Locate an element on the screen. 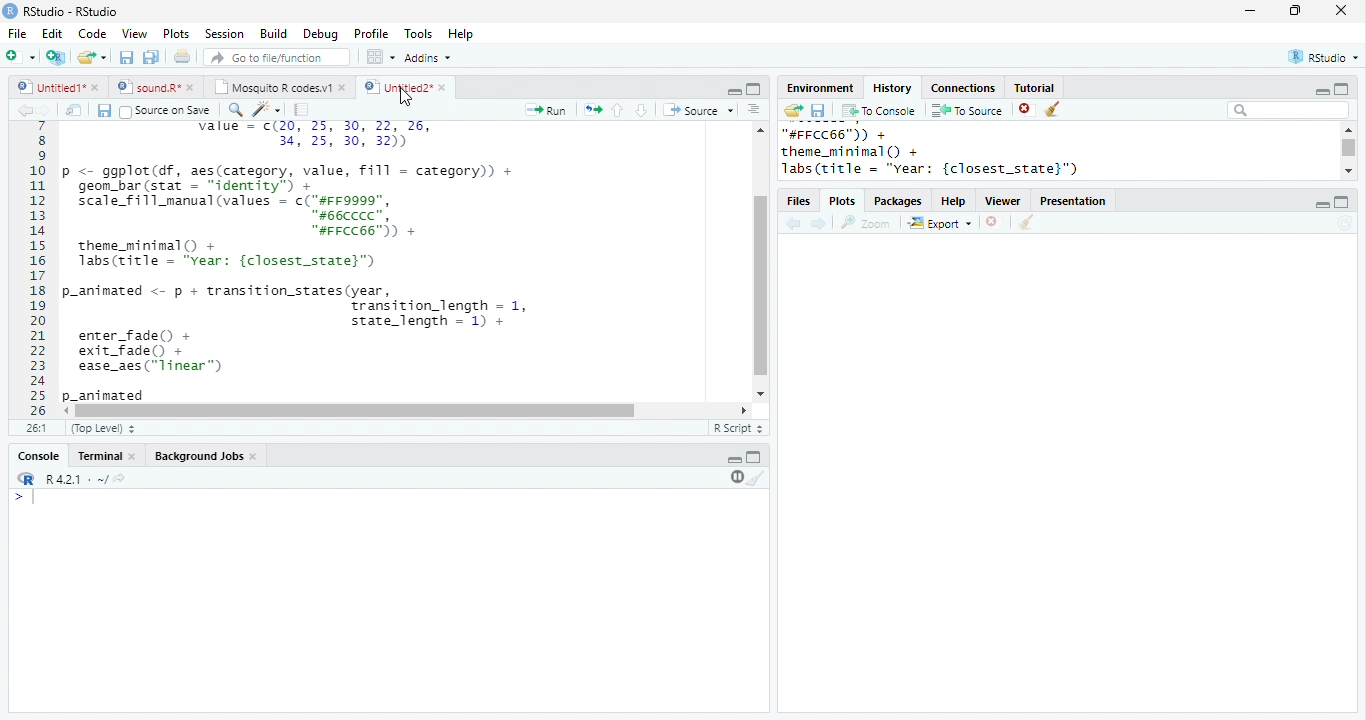  print is located at coordinates (181, 56).